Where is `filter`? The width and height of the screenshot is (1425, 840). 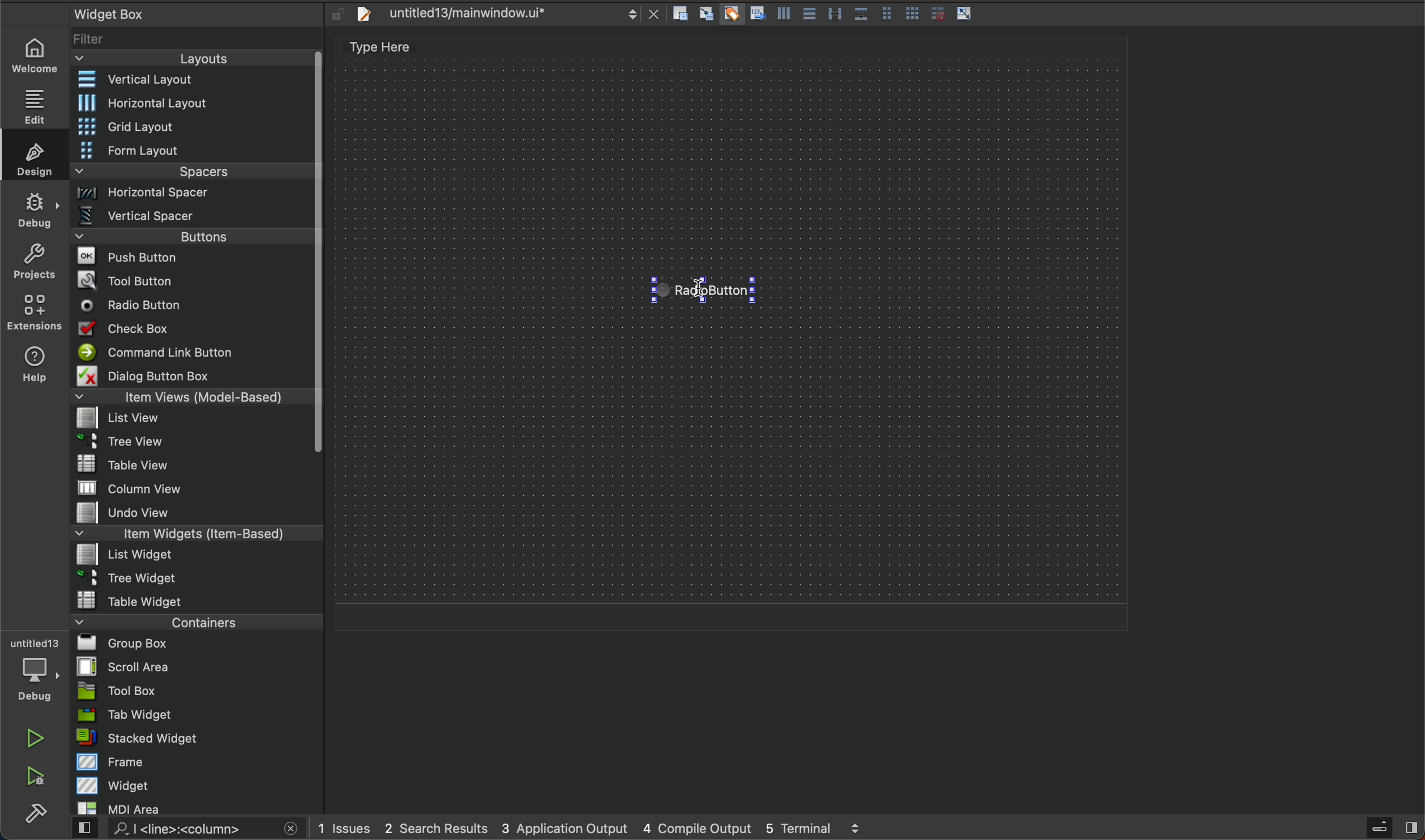 filter is located at coordinates (198, 43).